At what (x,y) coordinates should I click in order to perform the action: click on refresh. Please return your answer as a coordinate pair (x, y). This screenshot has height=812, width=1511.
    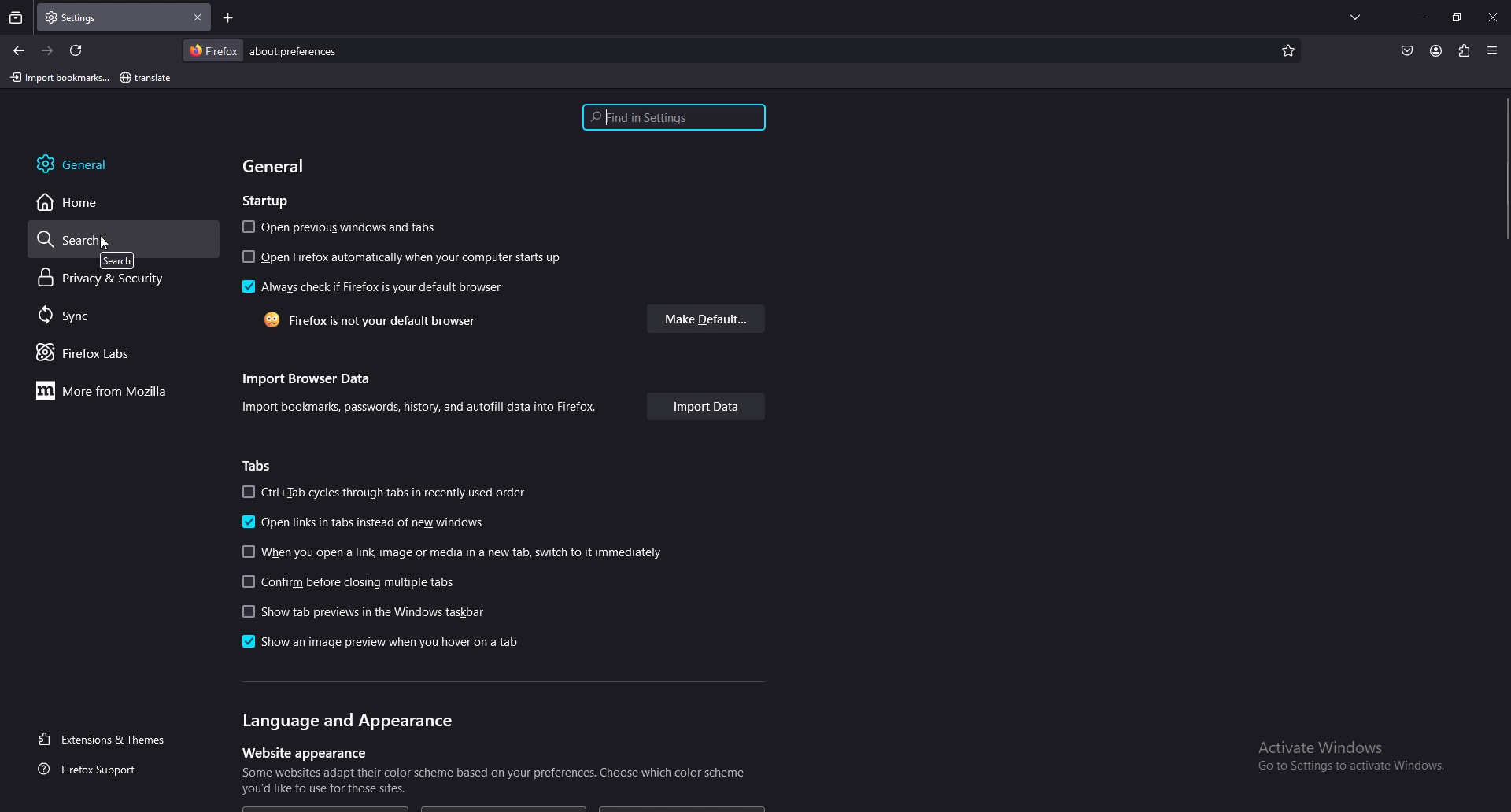
    Looking at the image, I should click on (79, 50).